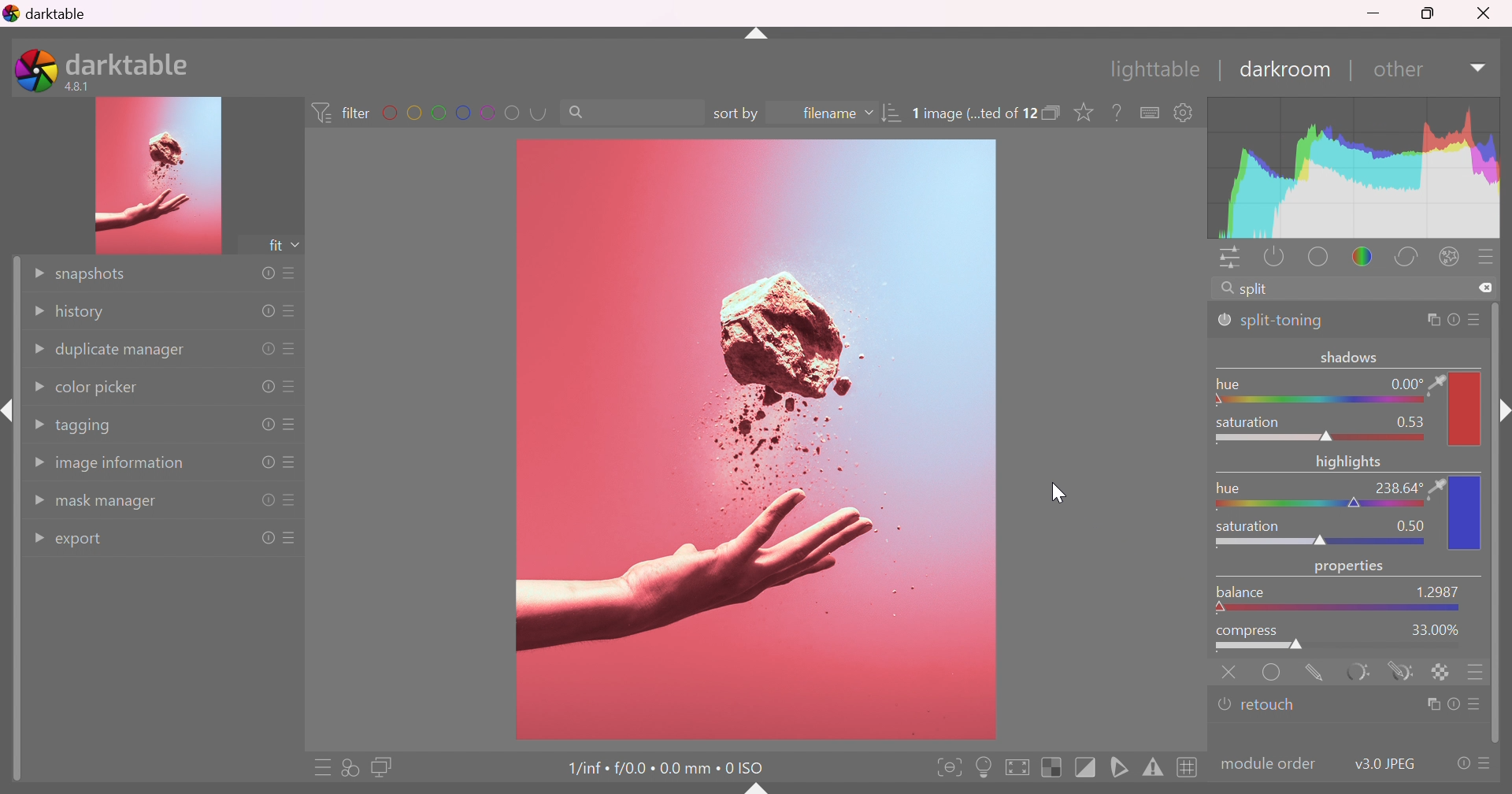 Image resolution: width=1512 pixels, height=794 pixels. Describe the element at coordinates (1218, 72) in the screenshot. I see `|` at that location.